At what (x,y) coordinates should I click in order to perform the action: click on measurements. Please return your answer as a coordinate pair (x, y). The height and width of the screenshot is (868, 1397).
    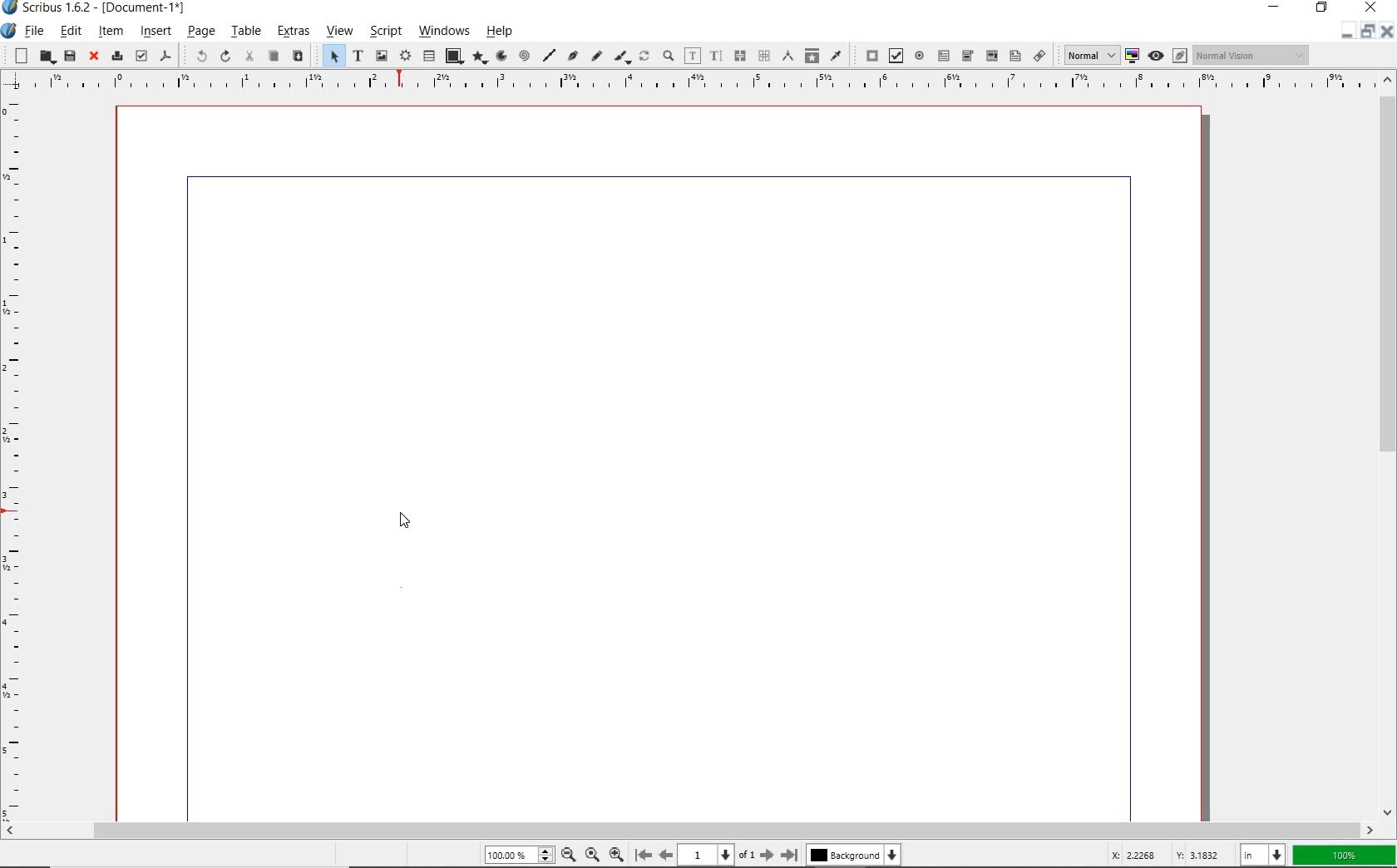
    Looking at the image, I should click on (787, 57).